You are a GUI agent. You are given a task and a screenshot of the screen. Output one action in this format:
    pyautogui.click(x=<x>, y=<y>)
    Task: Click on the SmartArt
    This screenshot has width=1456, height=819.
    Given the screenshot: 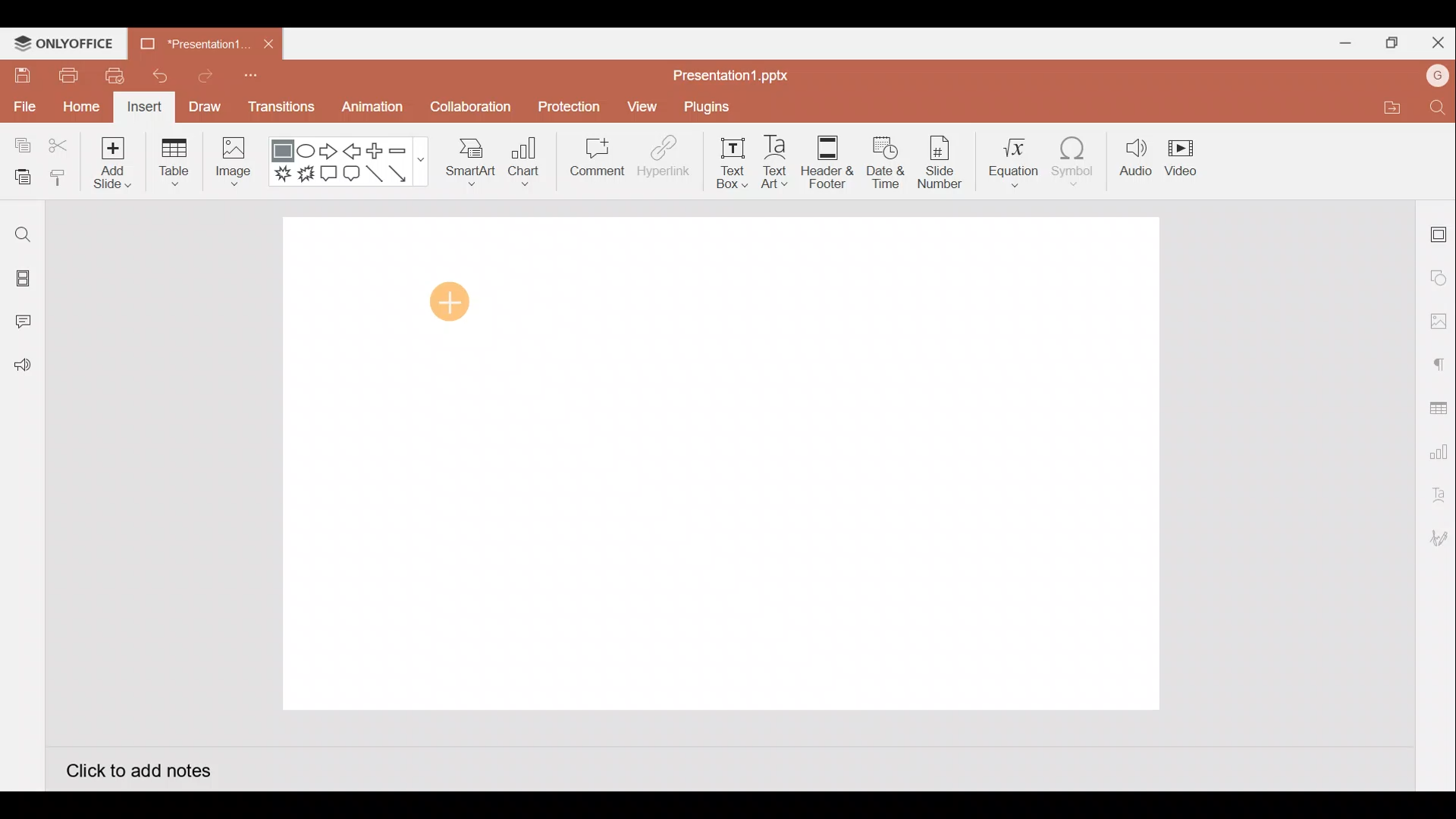 What is the action you would take?
    pyautogui.click(x=469, y=159)
    